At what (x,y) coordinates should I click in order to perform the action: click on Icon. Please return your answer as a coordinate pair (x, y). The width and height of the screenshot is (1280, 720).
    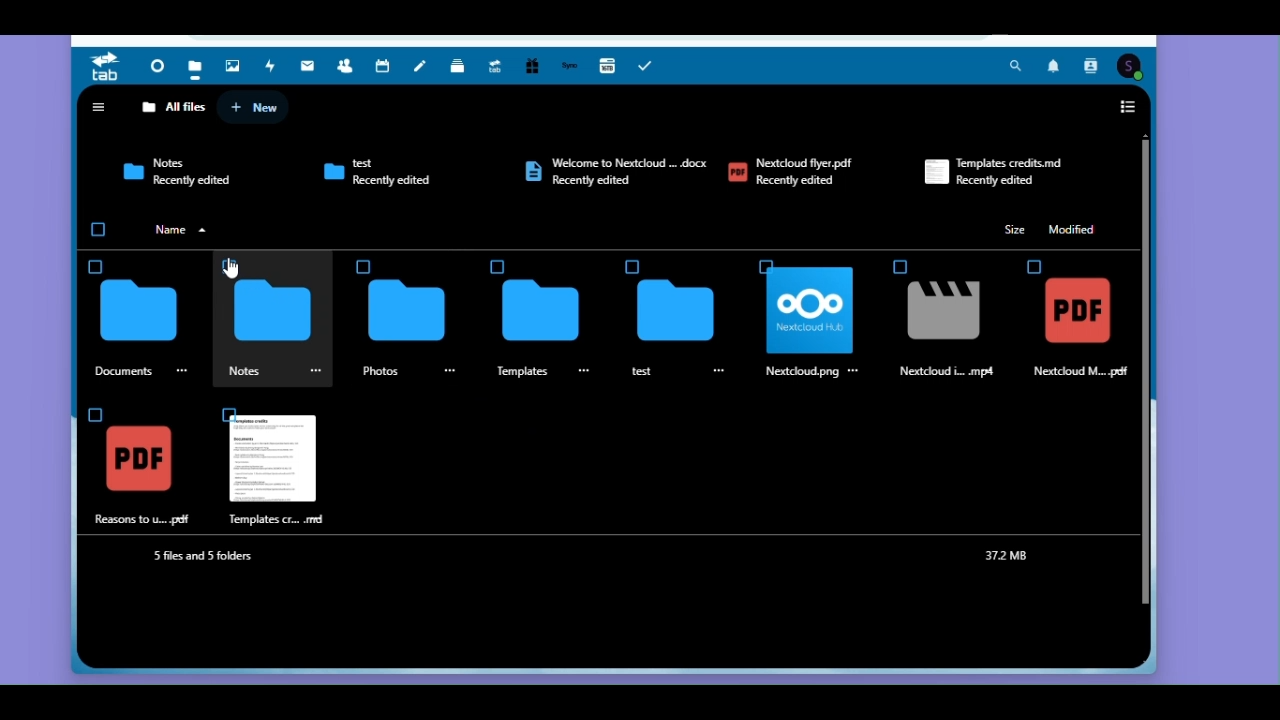
    Looking at the image, I should click on (738, 173).